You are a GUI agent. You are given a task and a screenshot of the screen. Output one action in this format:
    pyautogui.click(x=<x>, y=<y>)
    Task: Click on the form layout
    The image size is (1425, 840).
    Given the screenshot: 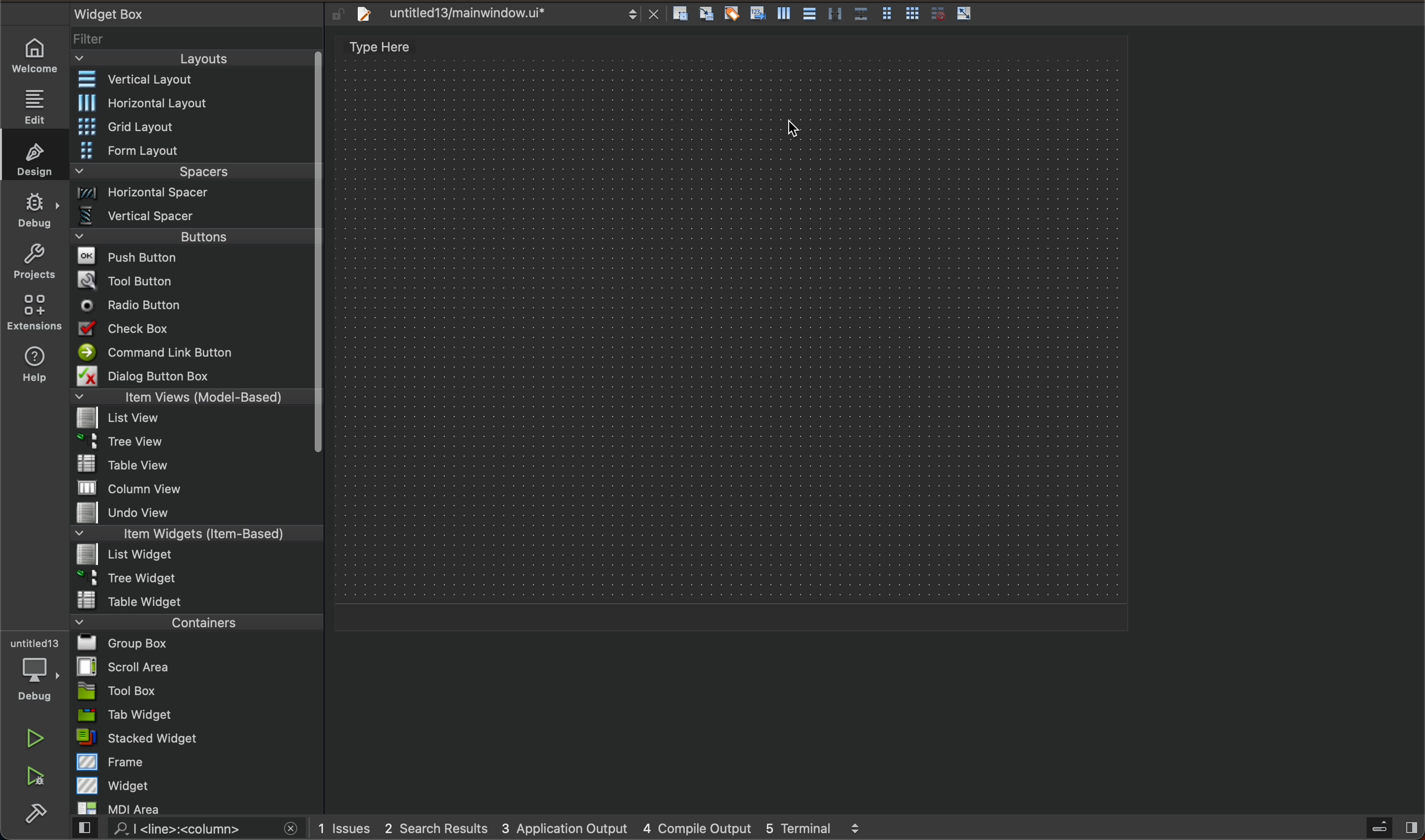 What is the action you would take?
    pyautogui.click(x=888, y=11)
    